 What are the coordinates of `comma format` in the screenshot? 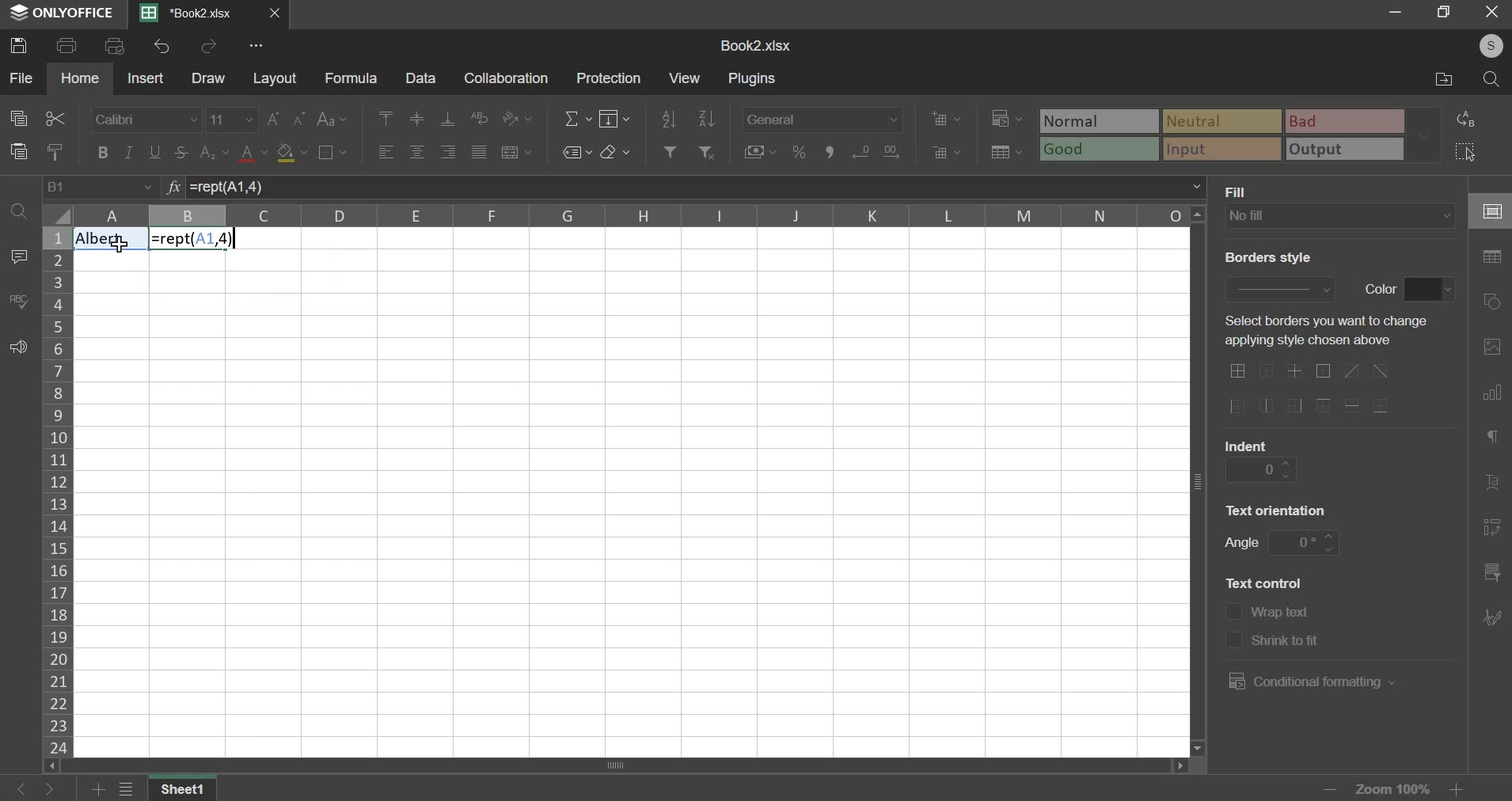 It's located at (829, 150).